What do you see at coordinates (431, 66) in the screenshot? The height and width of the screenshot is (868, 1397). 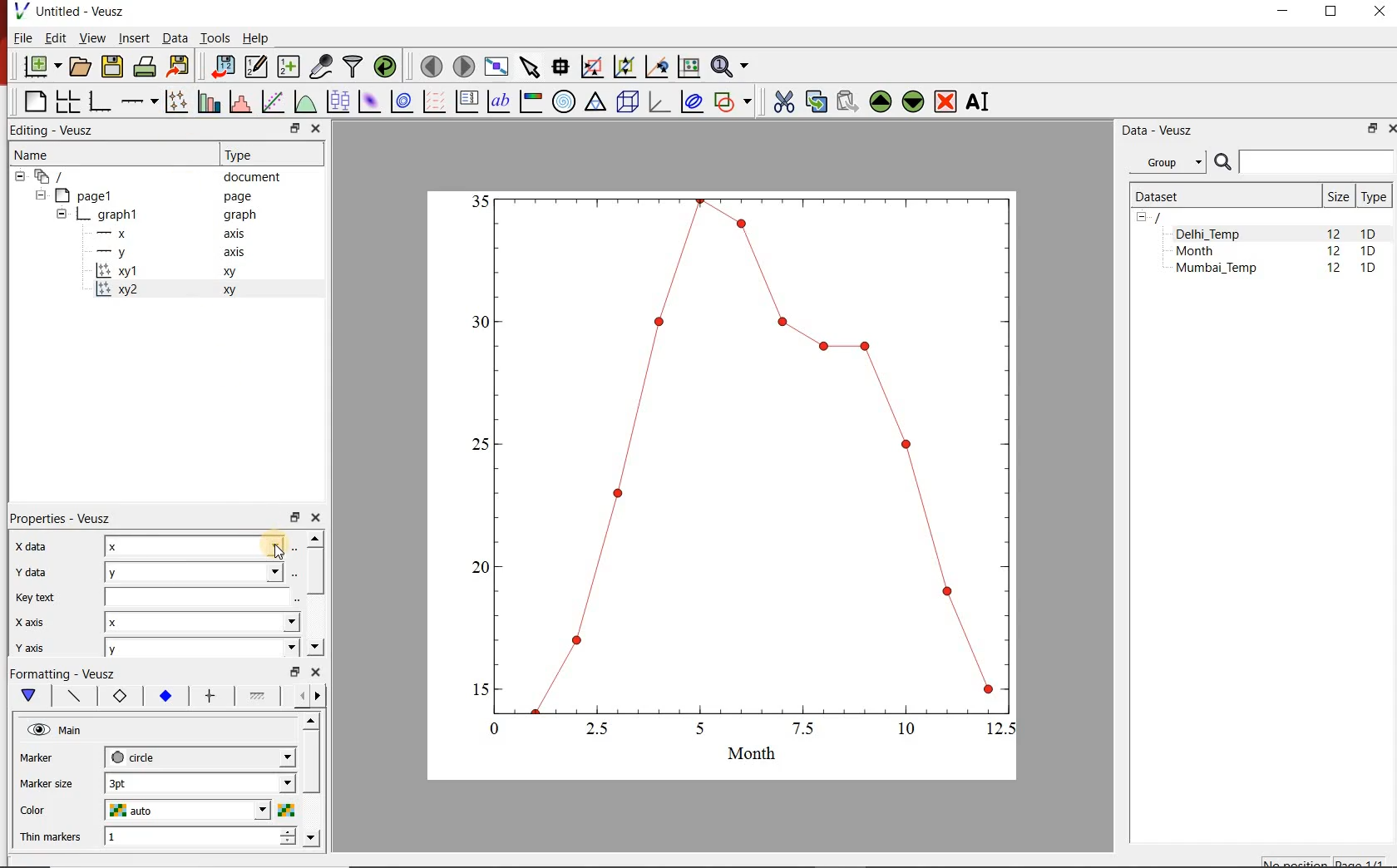 I see `move to the previous page` at bounding box center [431, 66].